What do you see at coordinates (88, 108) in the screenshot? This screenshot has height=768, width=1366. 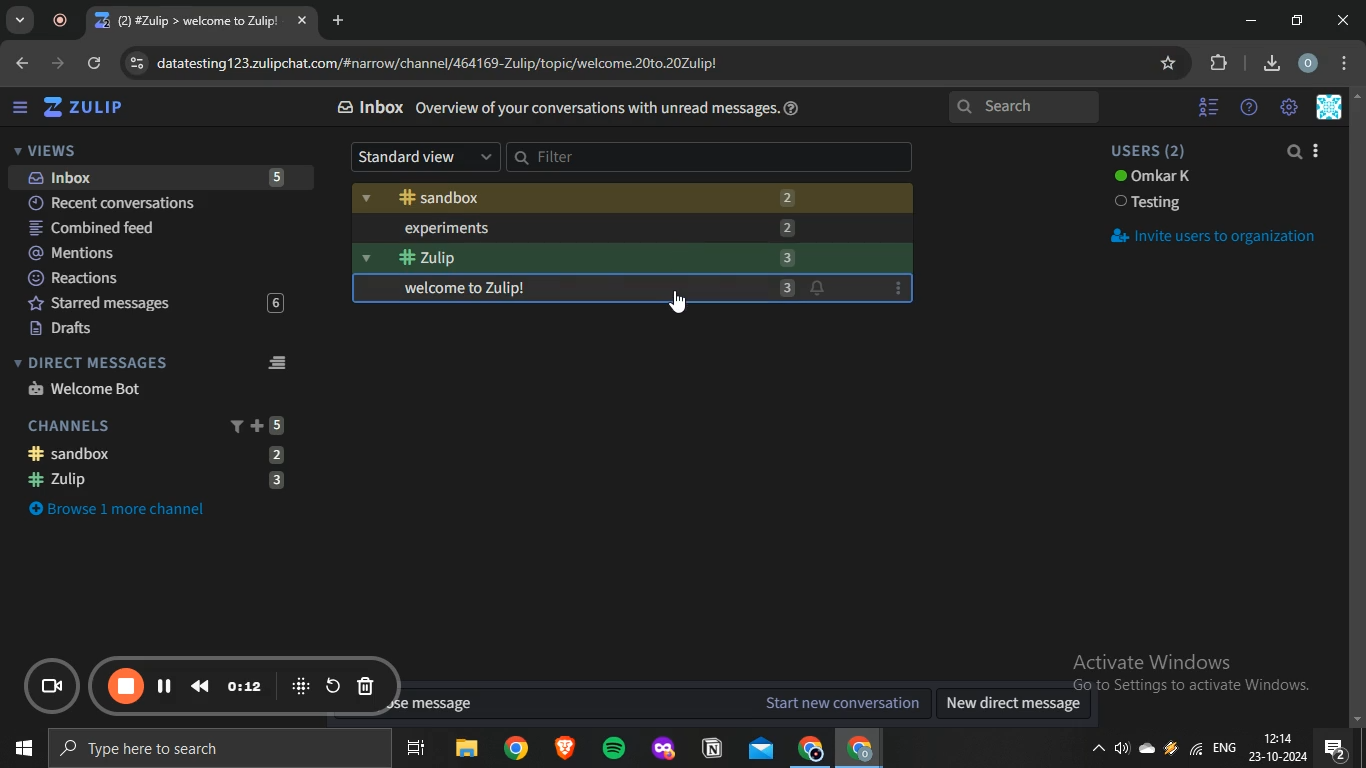 I see `zulip` at bounding box center [88, 108].